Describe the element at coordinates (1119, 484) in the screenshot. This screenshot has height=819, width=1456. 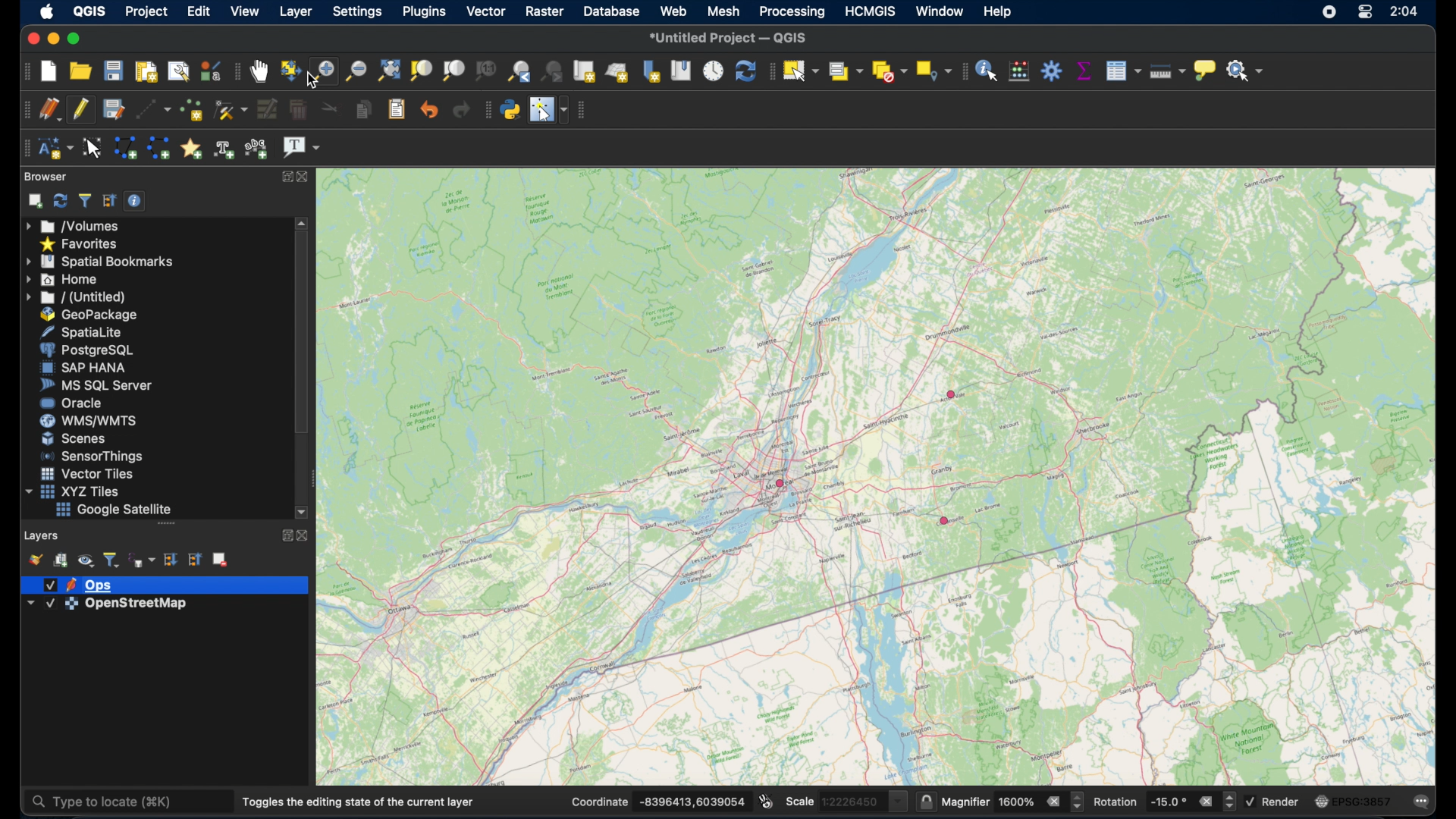
I see `open street map` at that location.